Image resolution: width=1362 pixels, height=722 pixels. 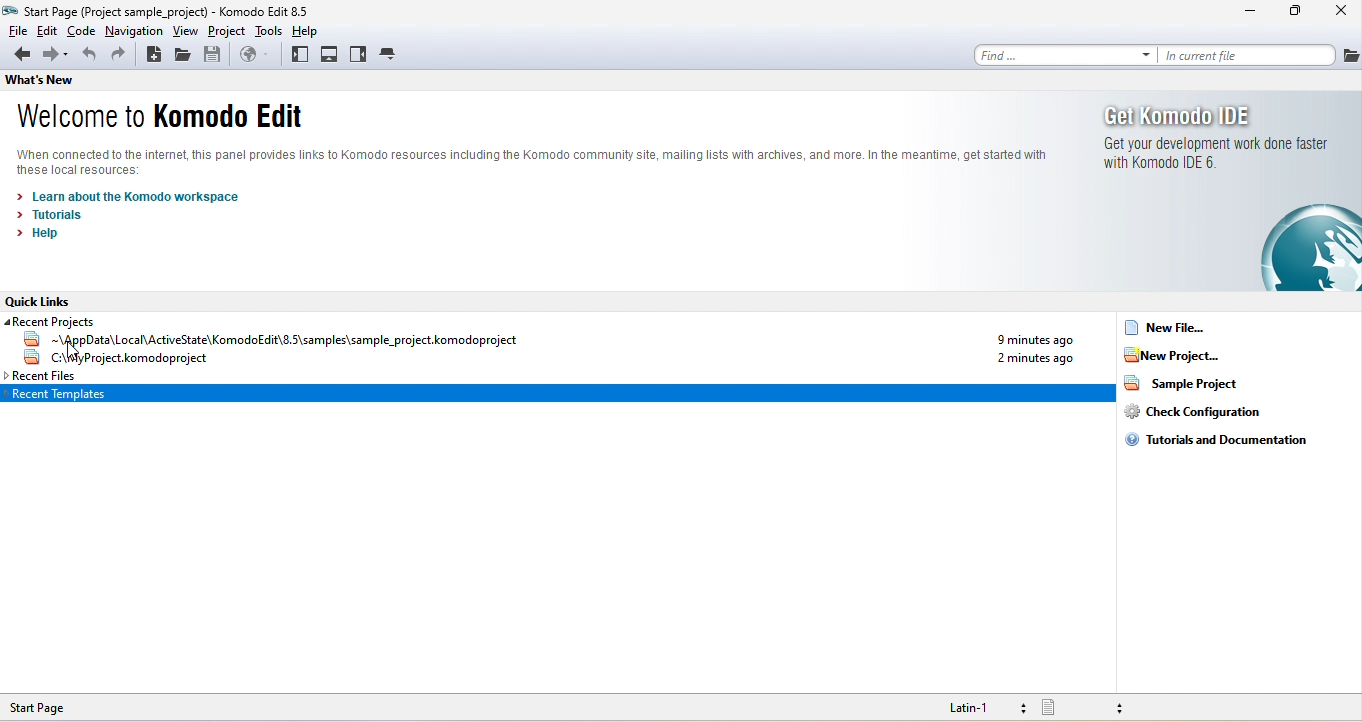 I want to click on find, so click(x=1065, y=54).